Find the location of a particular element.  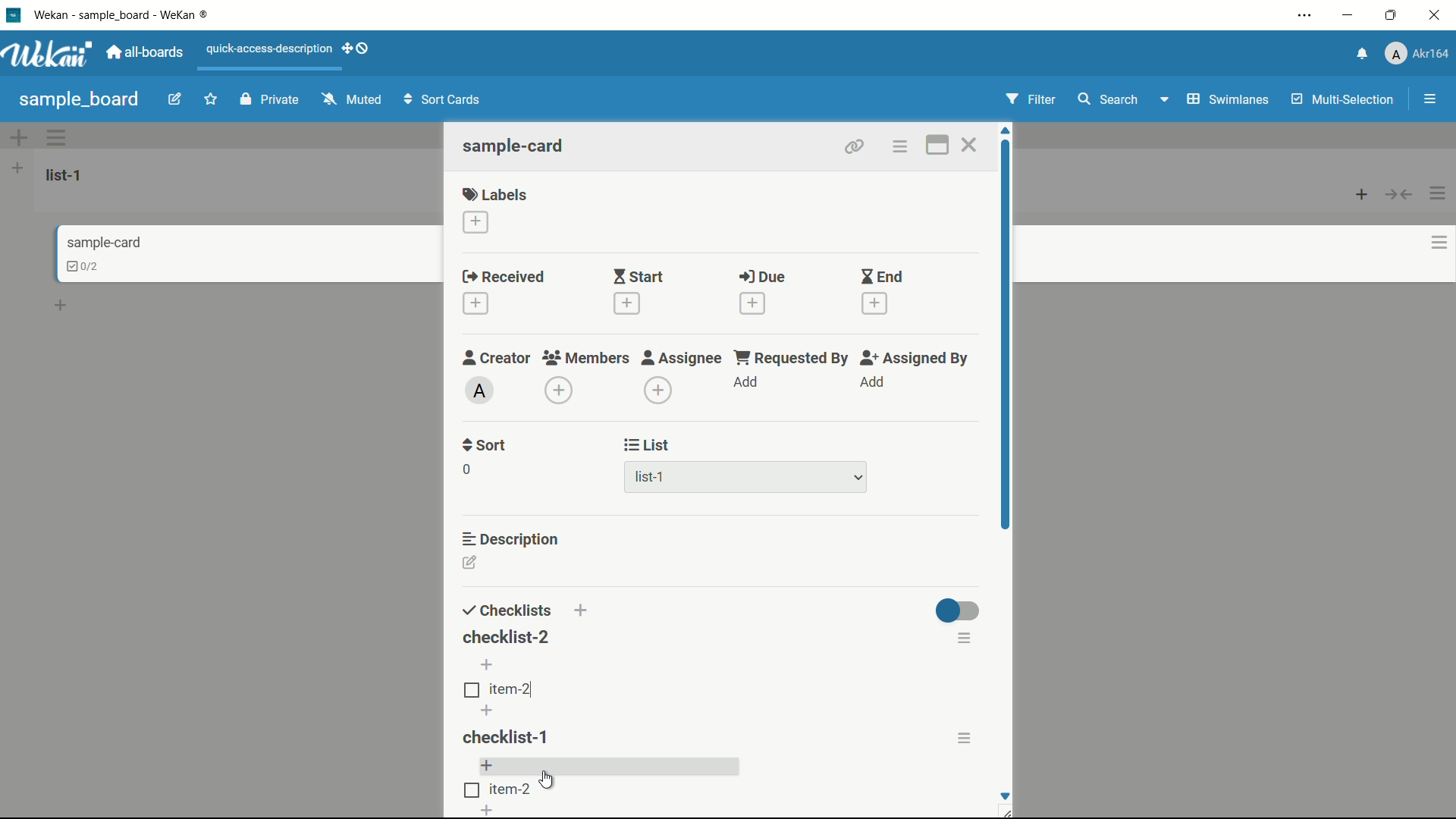

end is located at coordinates (881, 278).